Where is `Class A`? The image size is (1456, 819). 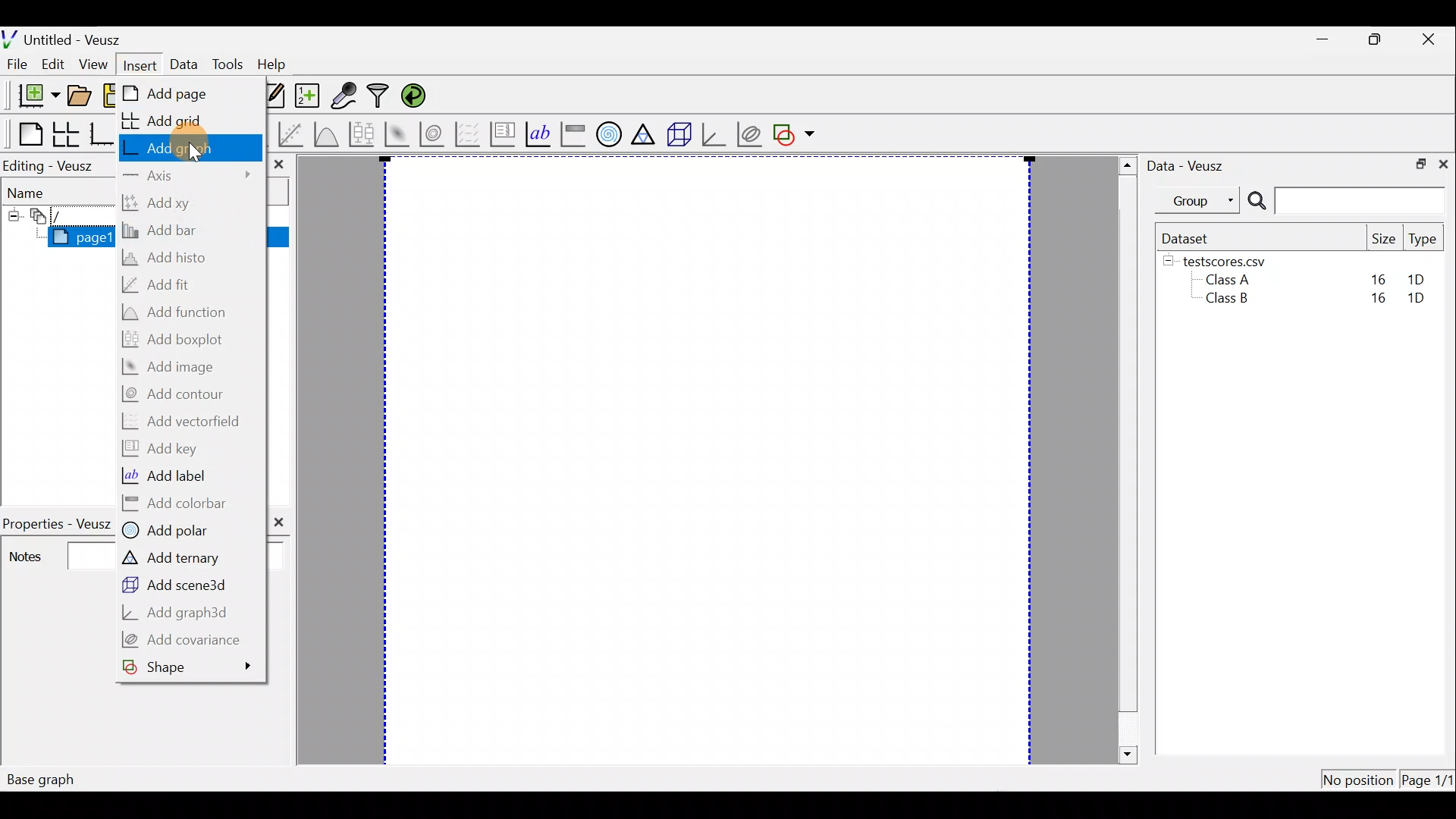
Class A is located at coordinates (1232, 279).